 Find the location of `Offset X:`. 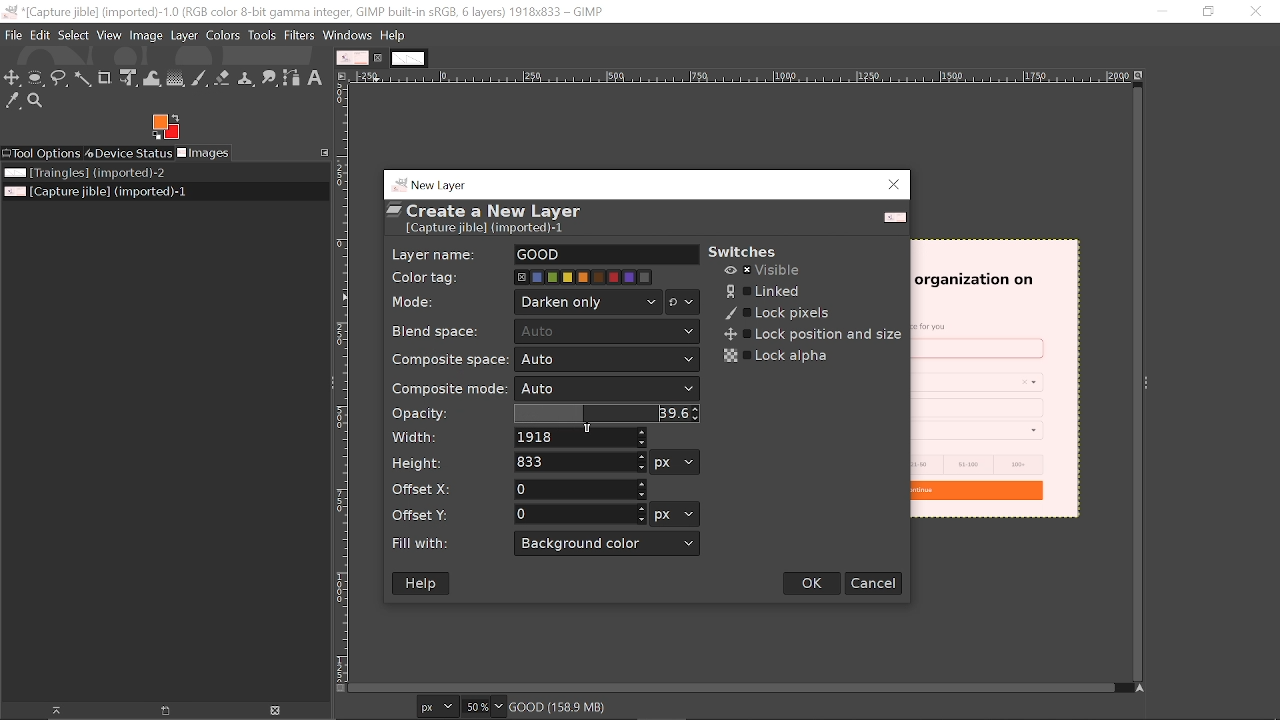

Offset X: is located at coordinates (423, 489).